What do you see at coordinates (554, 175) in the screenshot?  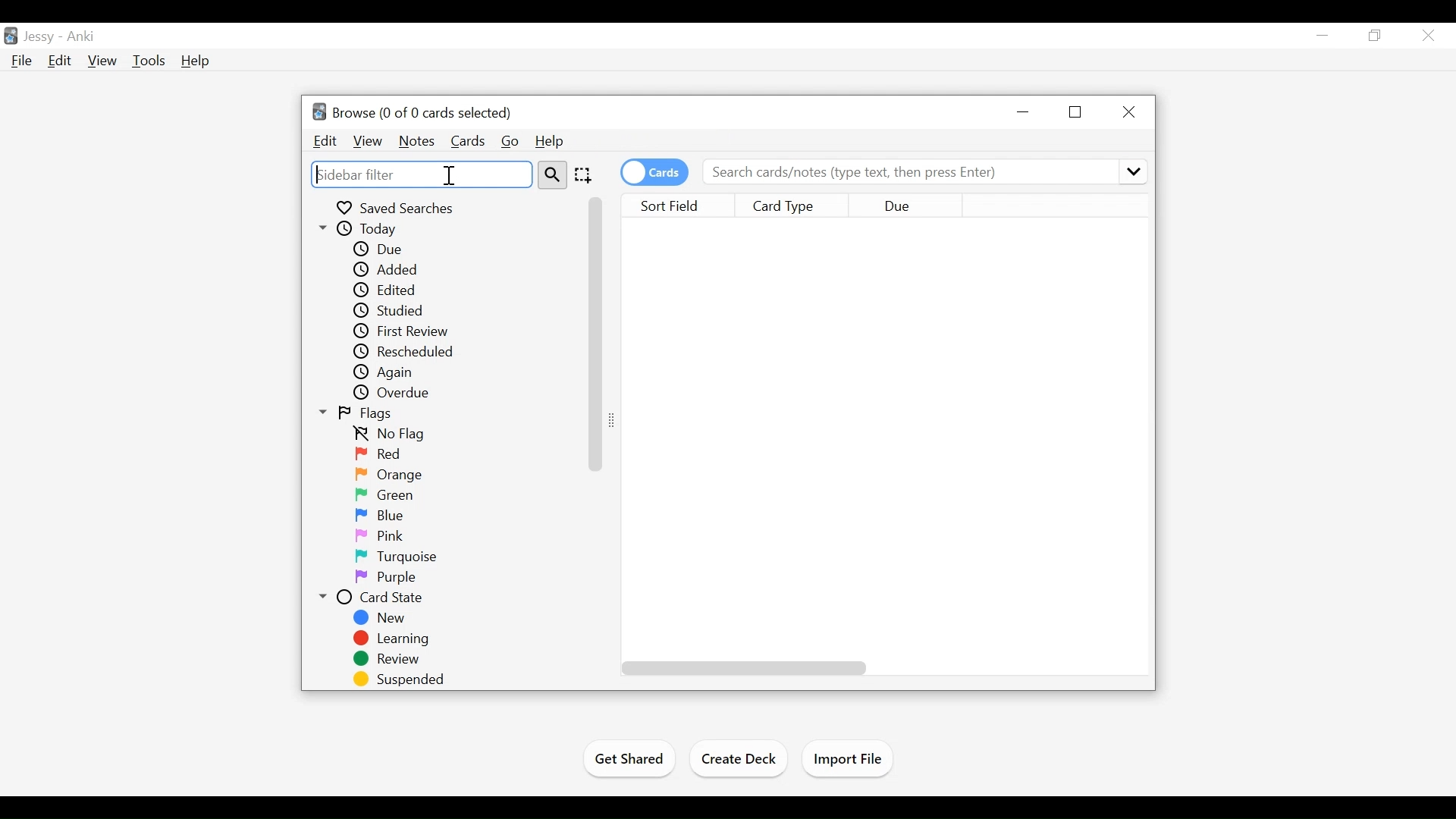 I see `Search tool` at bounding box center [554, 175].